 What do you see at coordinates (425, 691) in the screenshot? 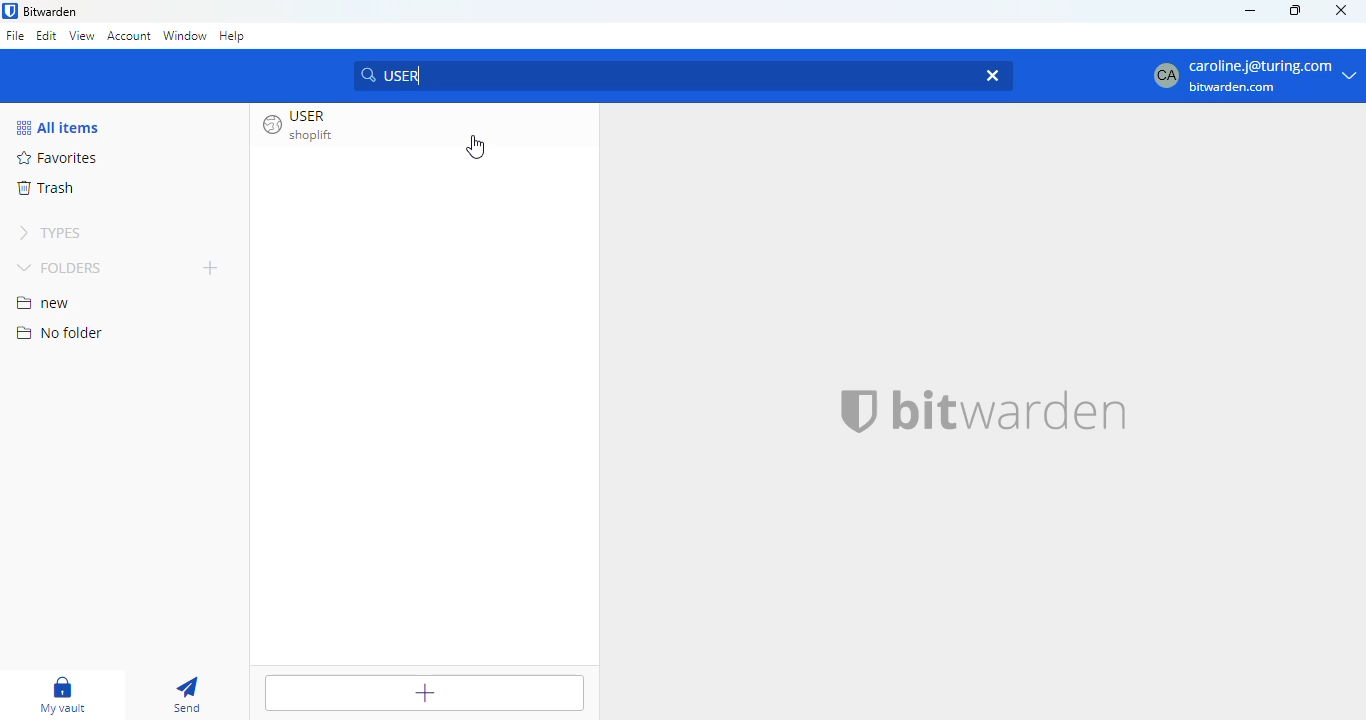
I see `add item` at bounding box center [425, 691].